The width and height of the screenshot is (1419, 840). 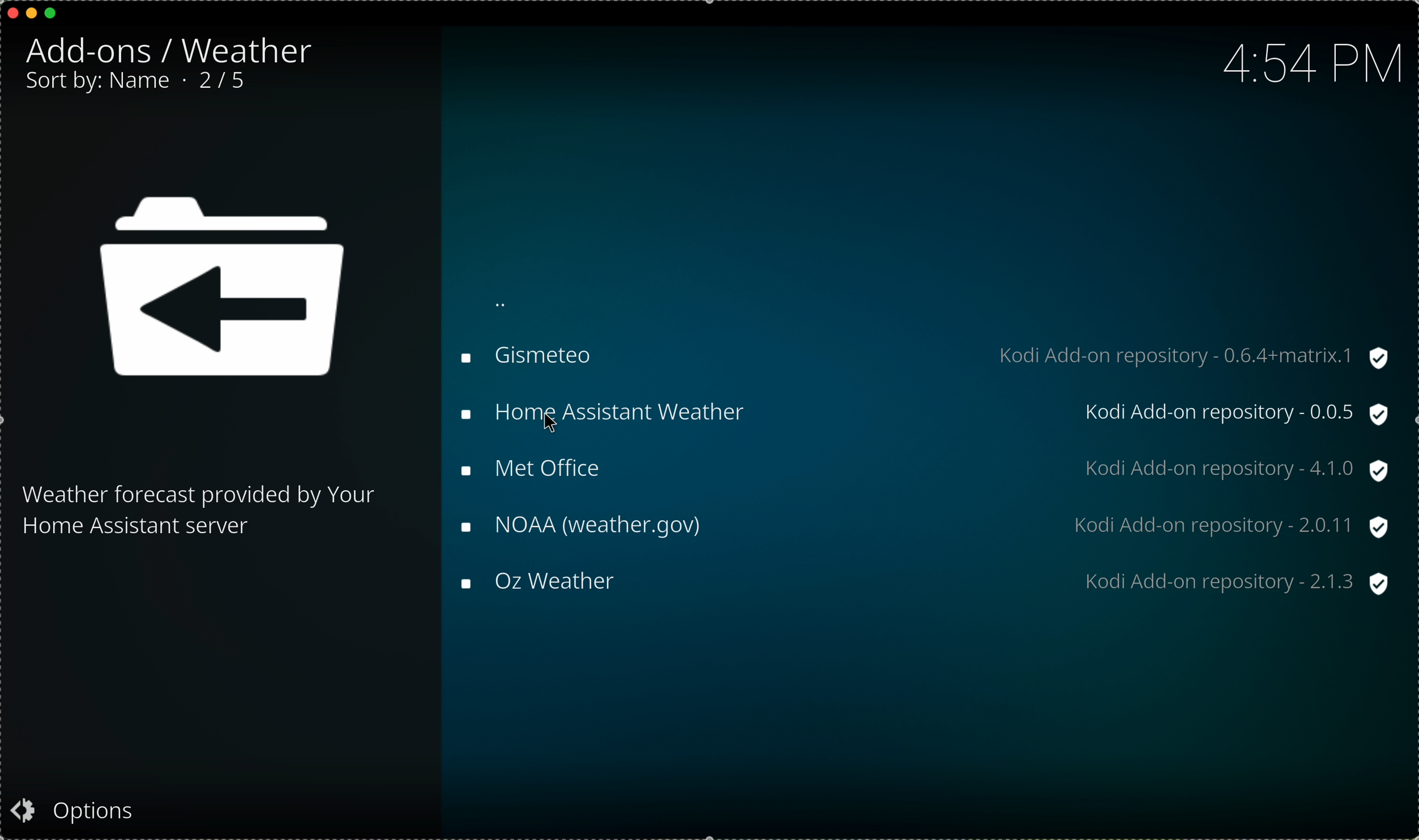 I want to click on close, so click(x=9, y=13).